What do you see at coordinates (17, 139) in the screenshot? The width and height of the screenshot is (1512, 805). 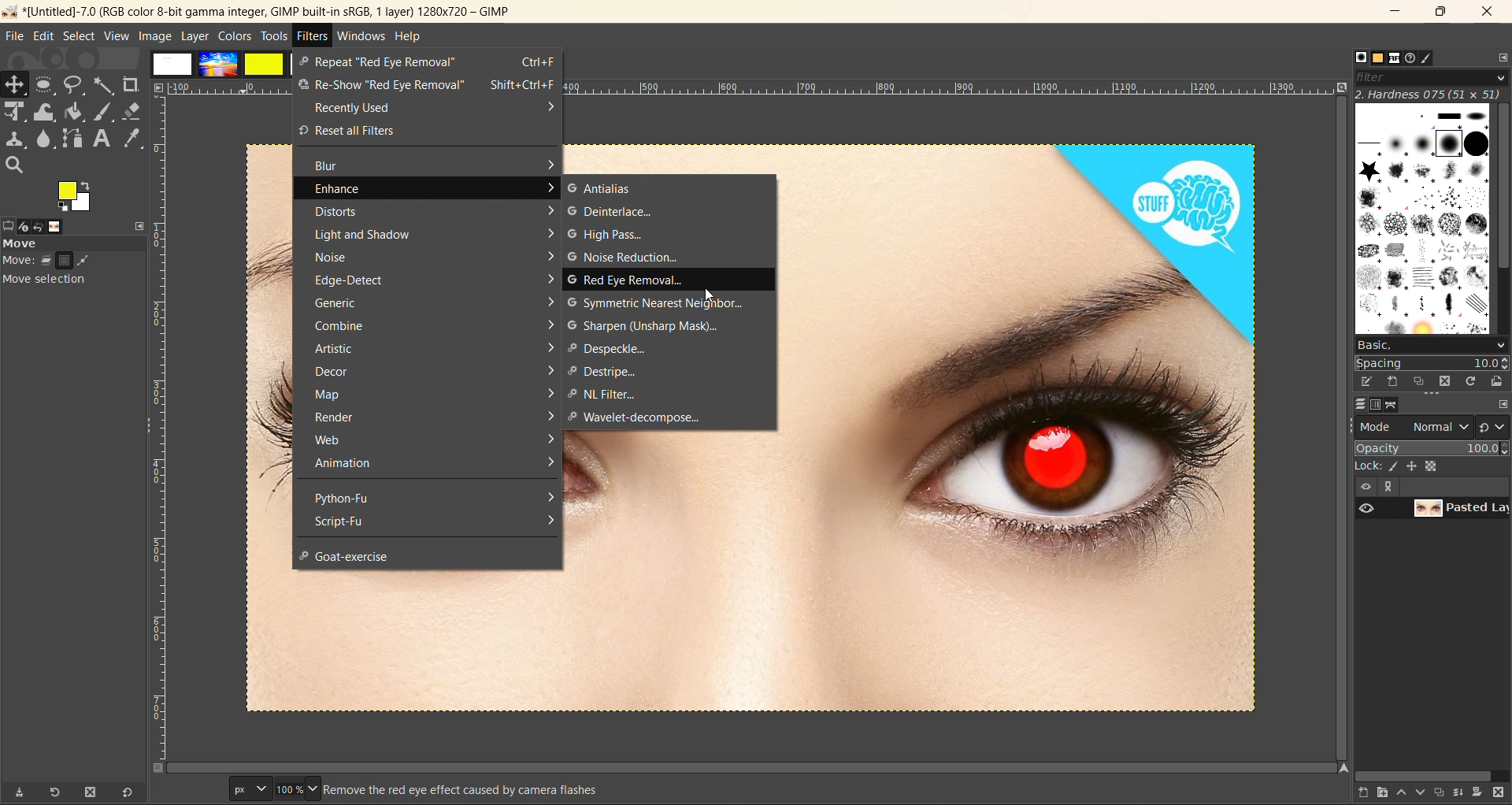 I see `clone` at bounding box center [17, 139].